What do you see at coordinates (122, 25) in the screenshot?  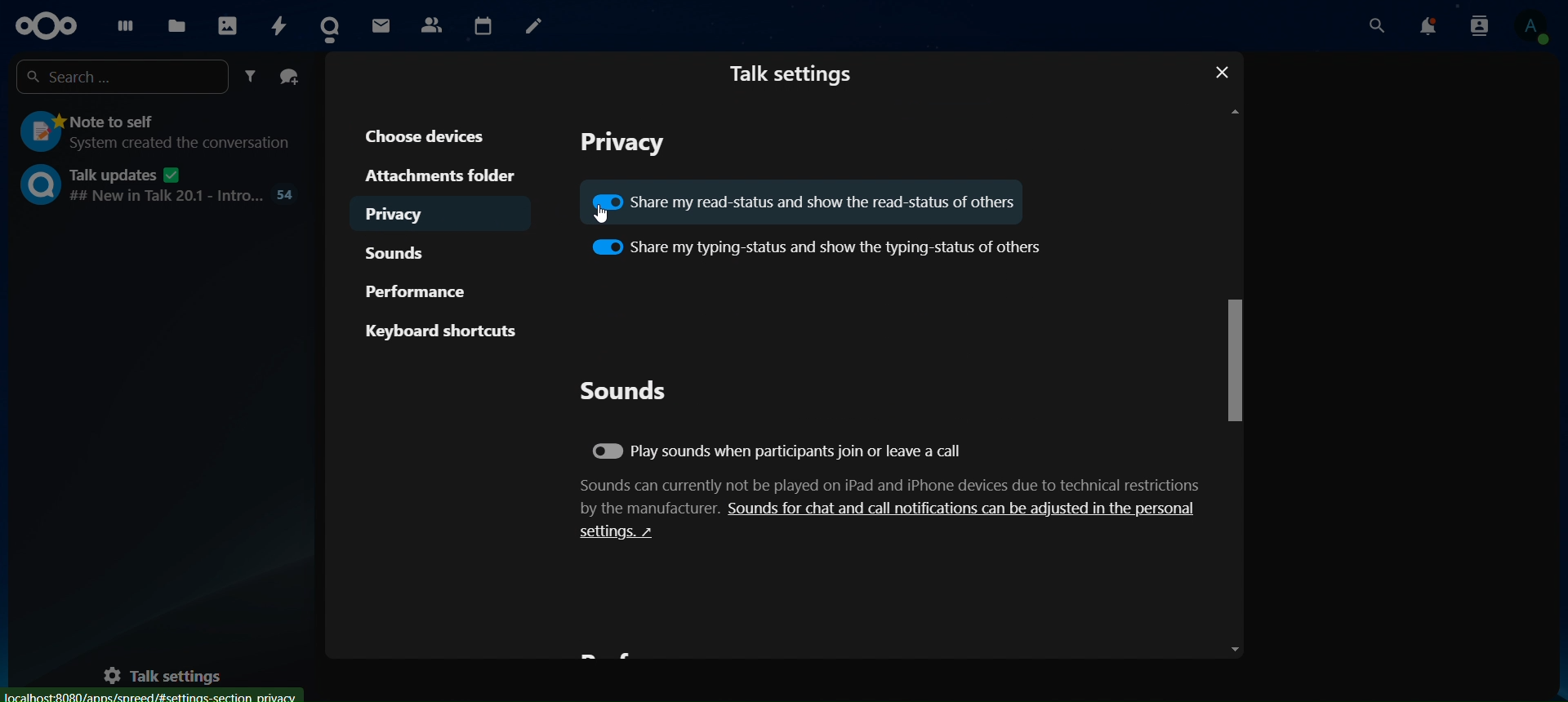 I see `dashboard` at bounding box center [122, 25].